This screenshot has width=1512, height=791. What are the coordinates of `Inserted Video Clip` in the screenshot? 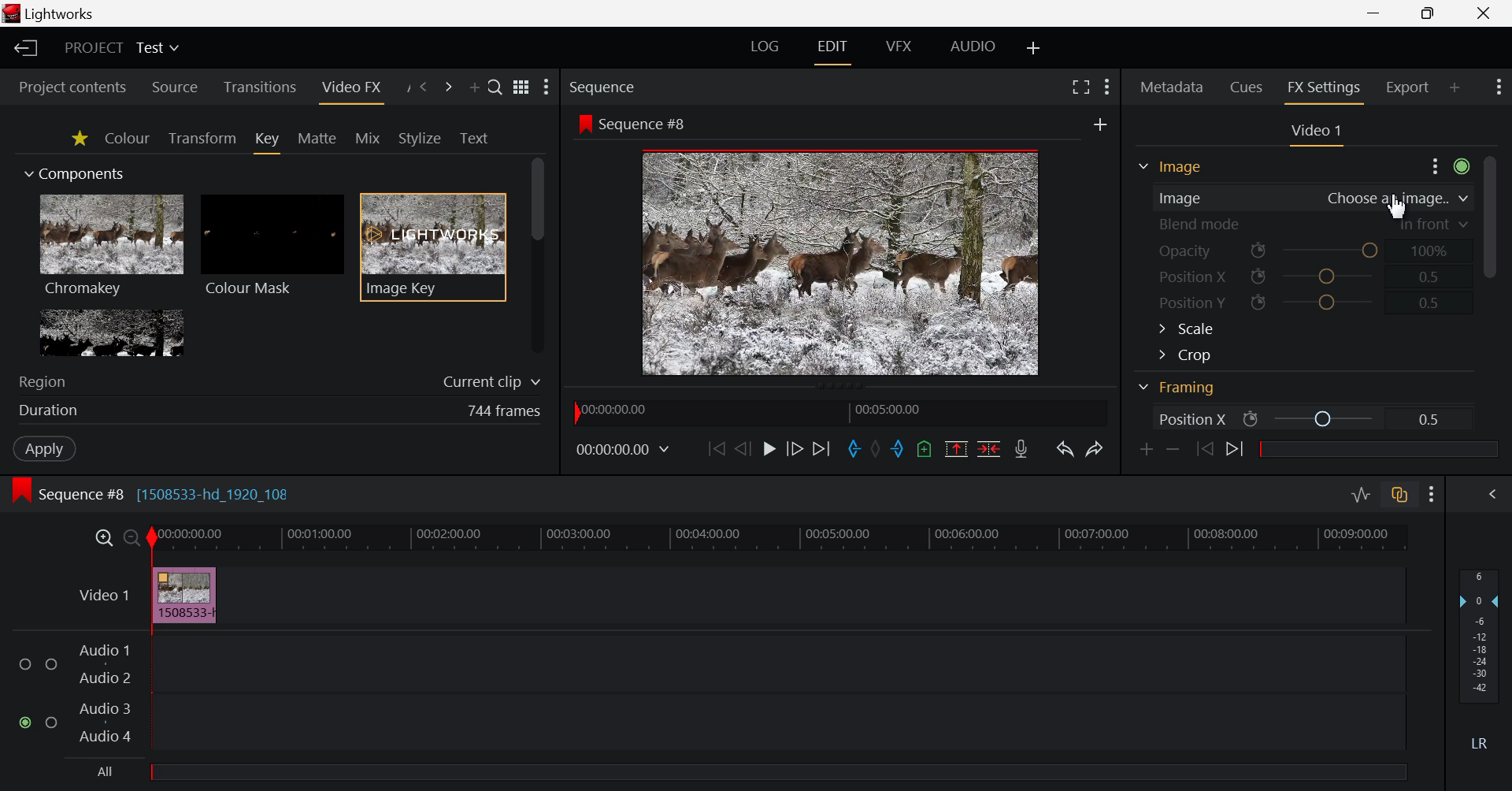 It's located at (186, 596).